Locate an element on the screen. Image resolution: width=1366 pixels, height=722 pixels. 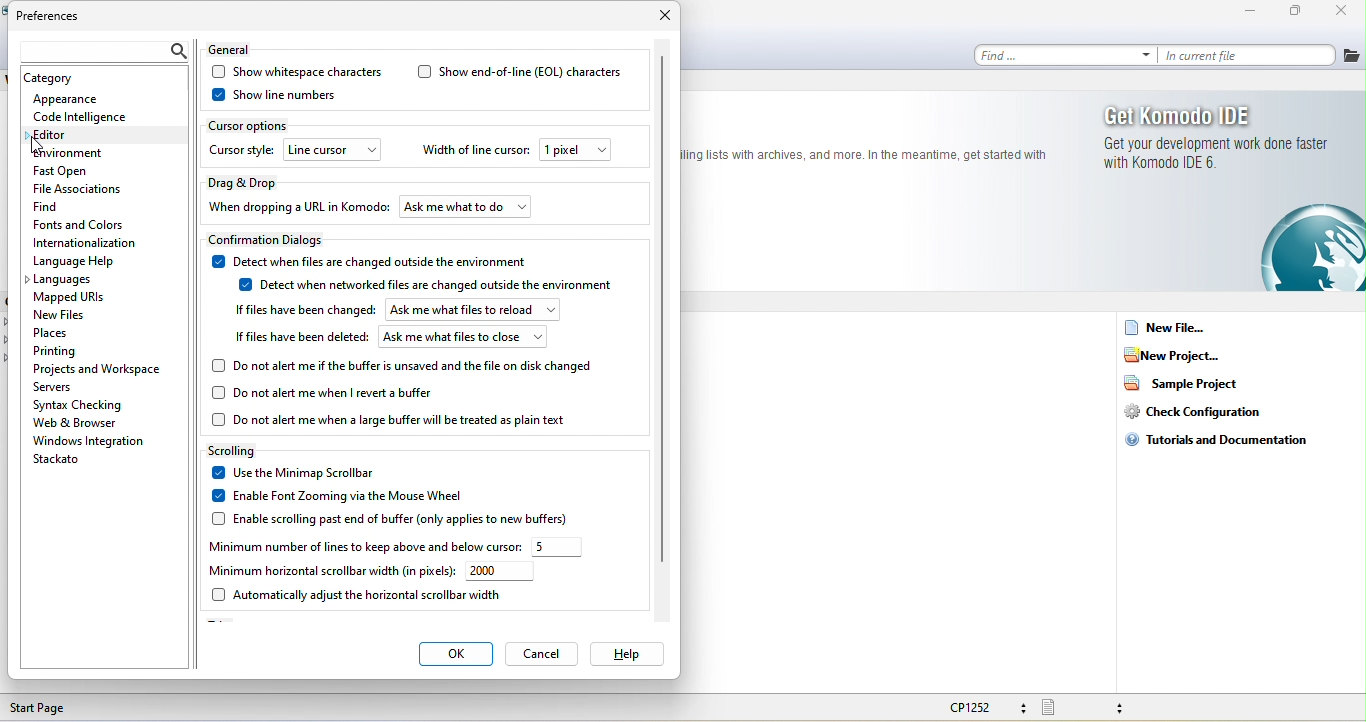
windows integration is located at coordinates (89, 441).